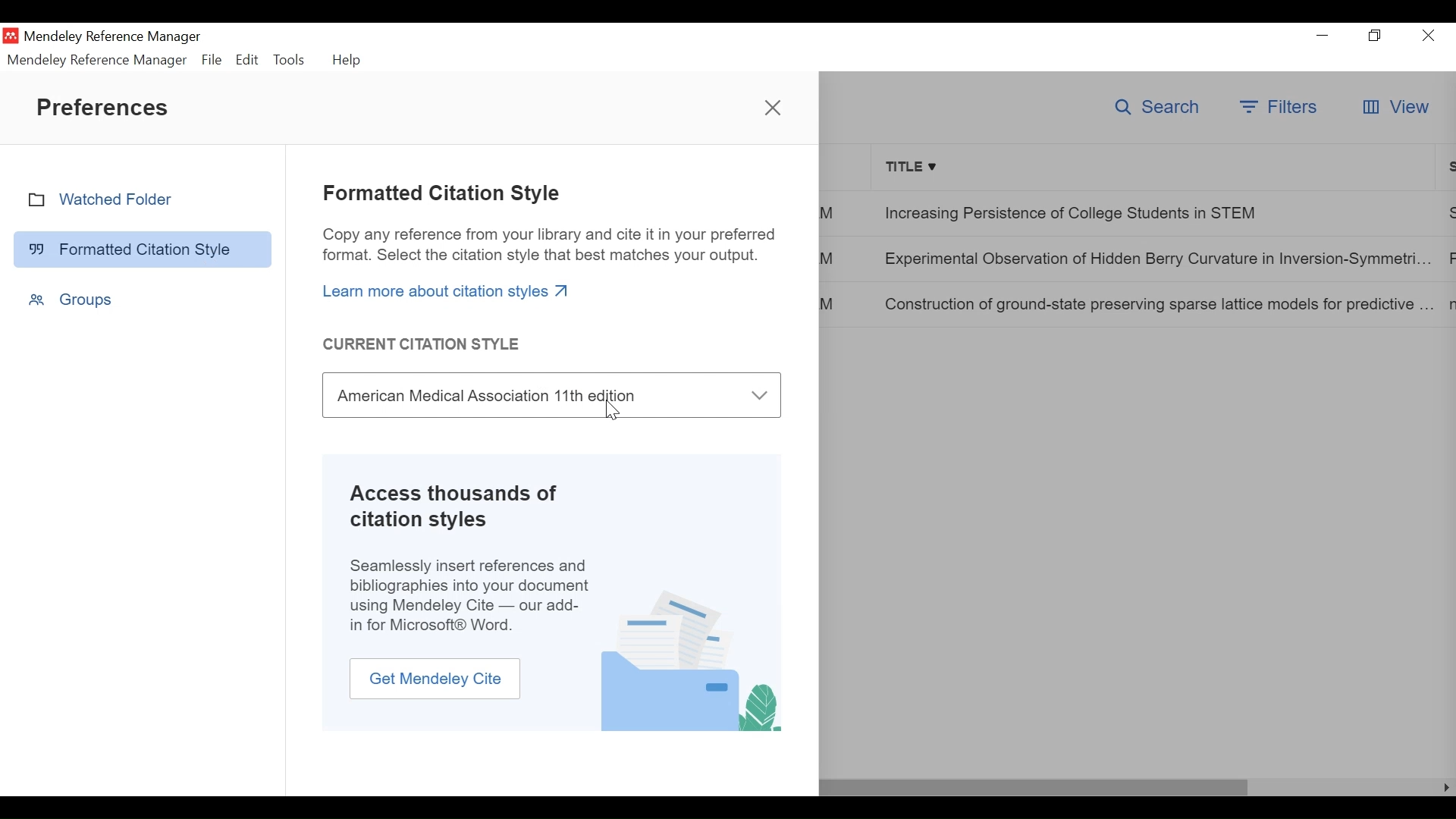 This screenshot has width=1456, height=819. What do you see at coordinates (425, 344) in the screenshot?
I see `Current Citations Style` at bounding box center [425, 344].